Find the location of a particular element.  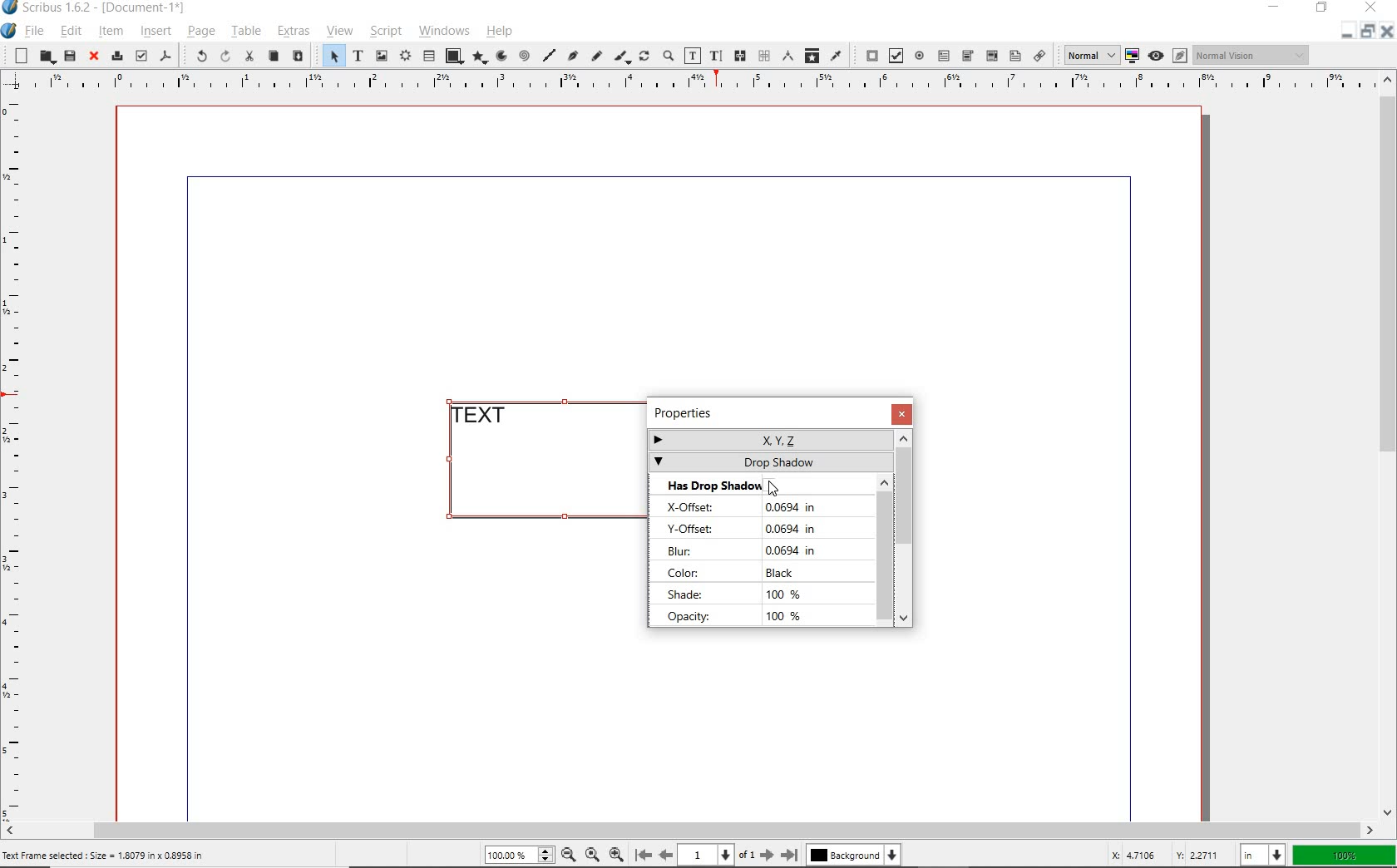

arc is located at coordinates (502, 56).